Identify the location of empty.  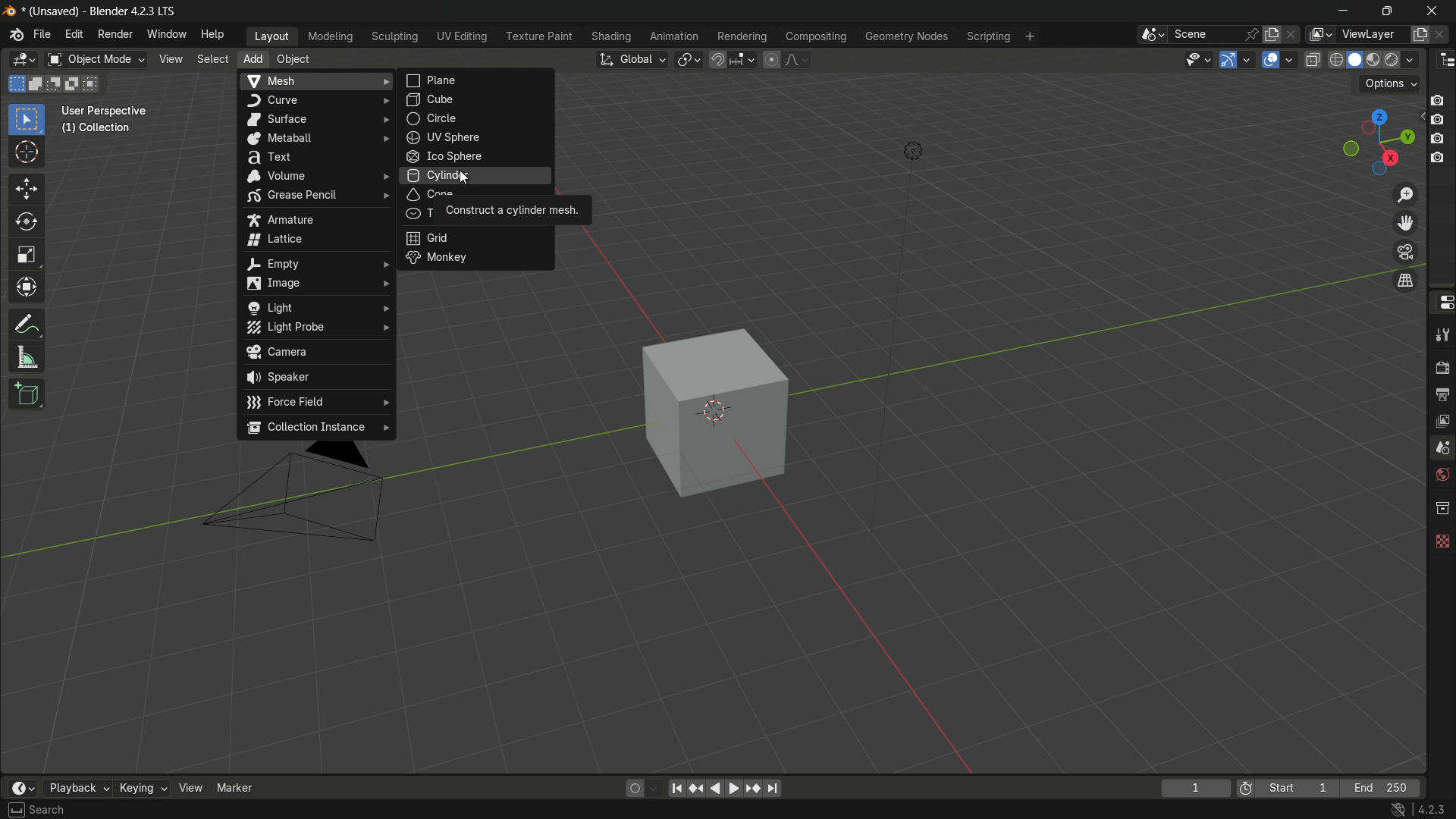
(315, 263).